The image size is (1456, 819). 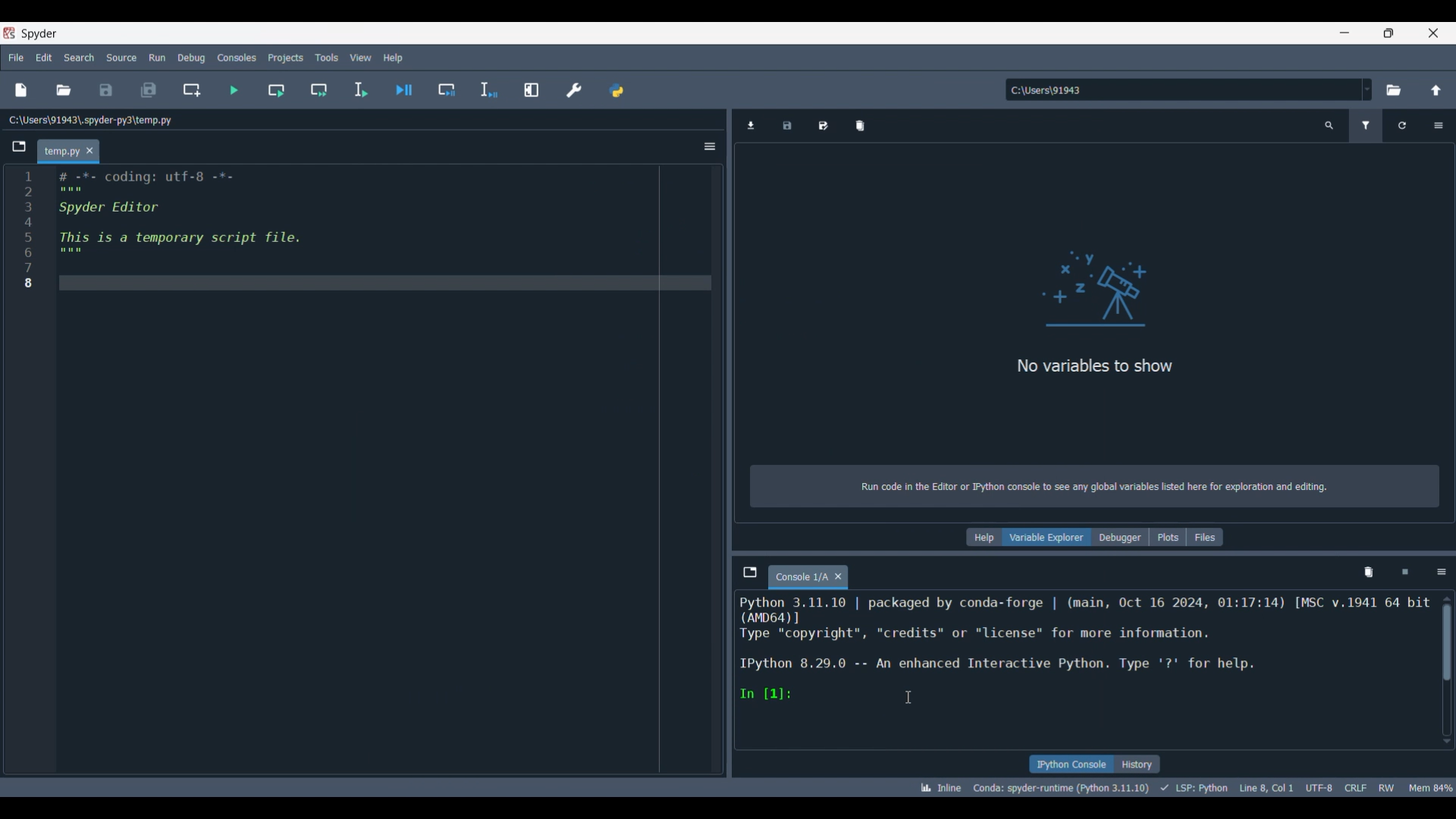 What do you see at coordinates (1071, 764) in the screenshot?
I see `IPython console` at bounding box center [1071, 764].